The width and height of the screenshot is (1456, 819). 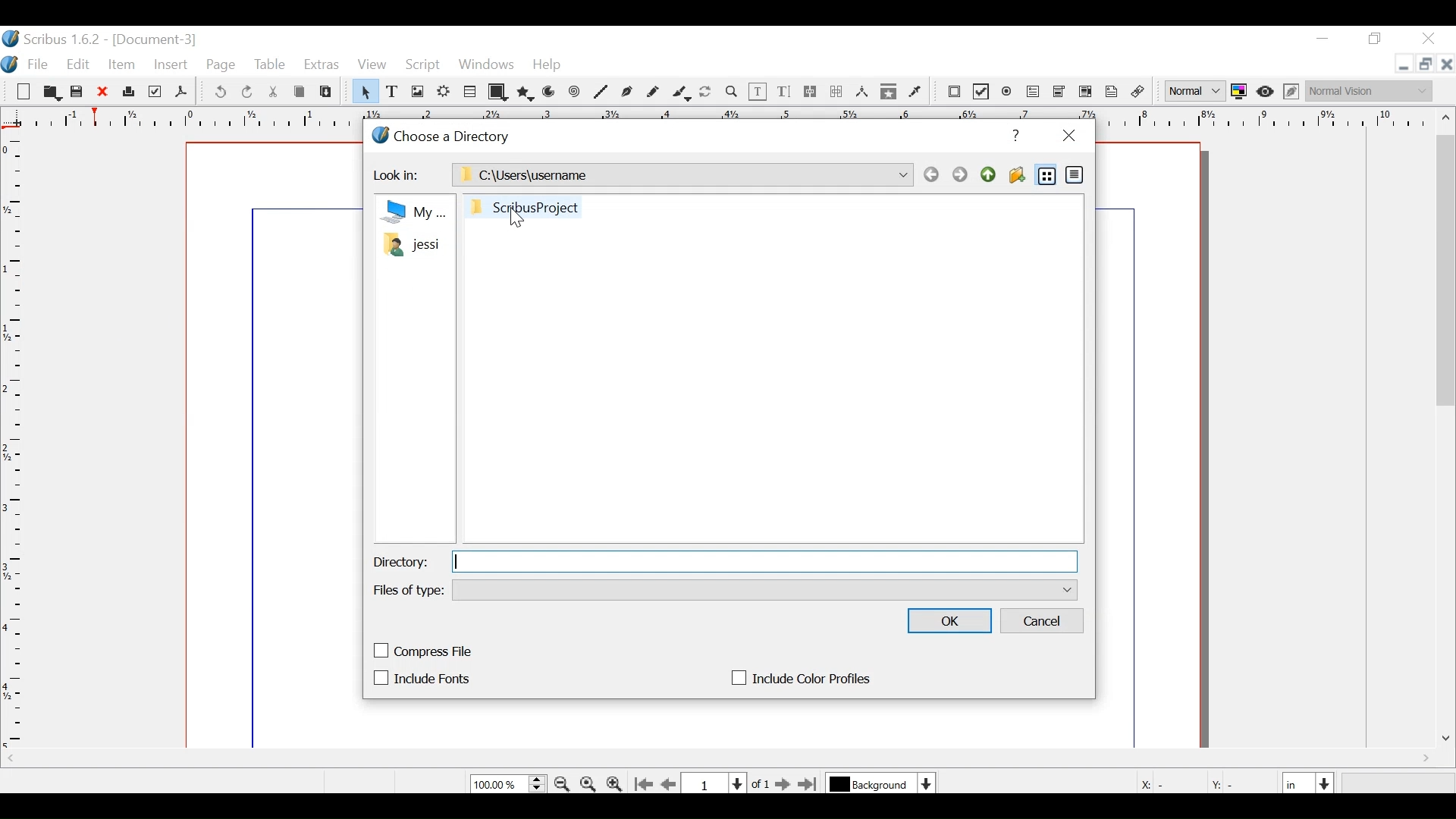 I want to click on Edit, so click(x=79, y=65).